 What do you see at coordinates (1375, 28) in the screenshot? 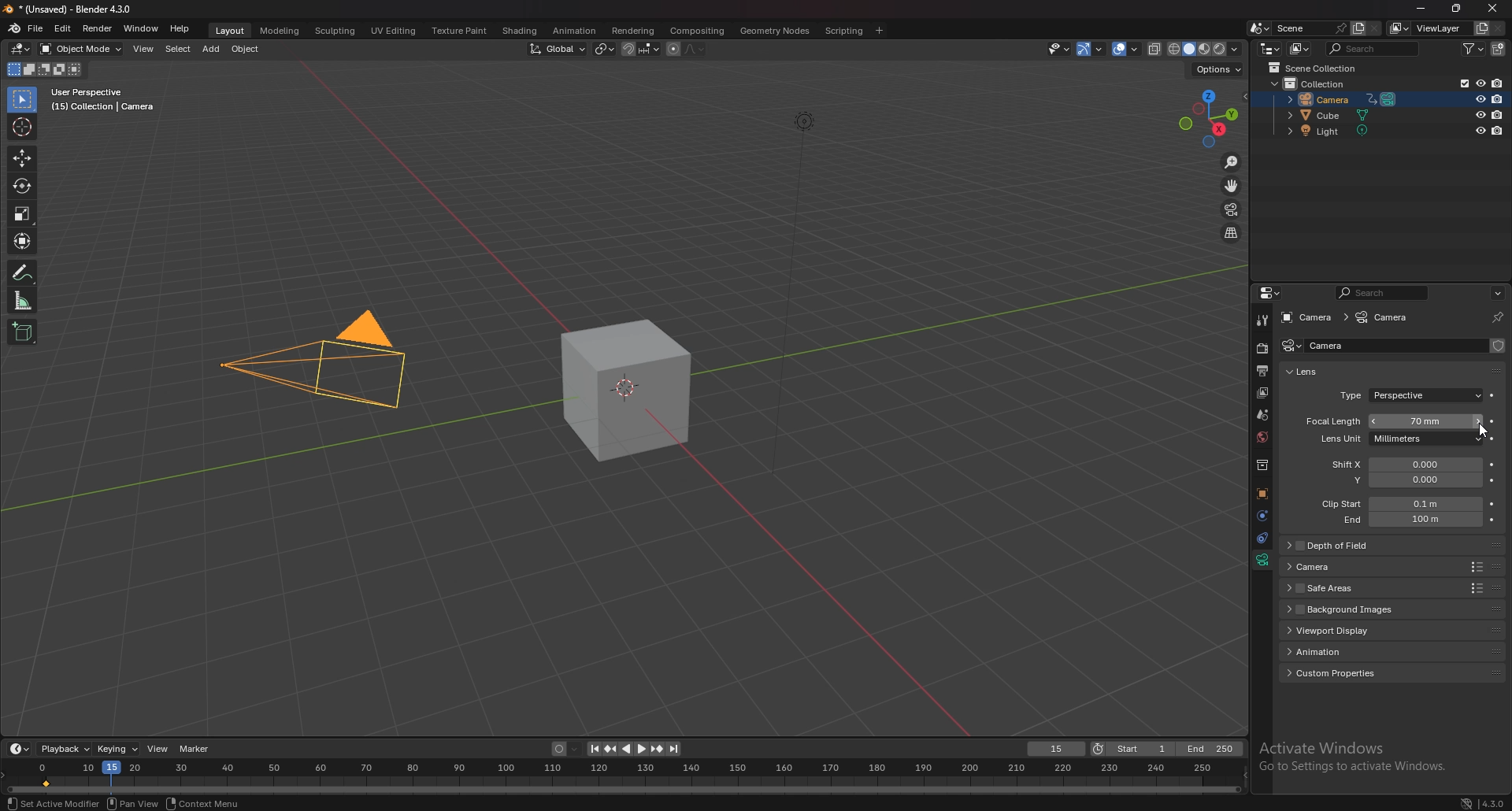
I see `delete scene` at bounding box center [1375, 28].